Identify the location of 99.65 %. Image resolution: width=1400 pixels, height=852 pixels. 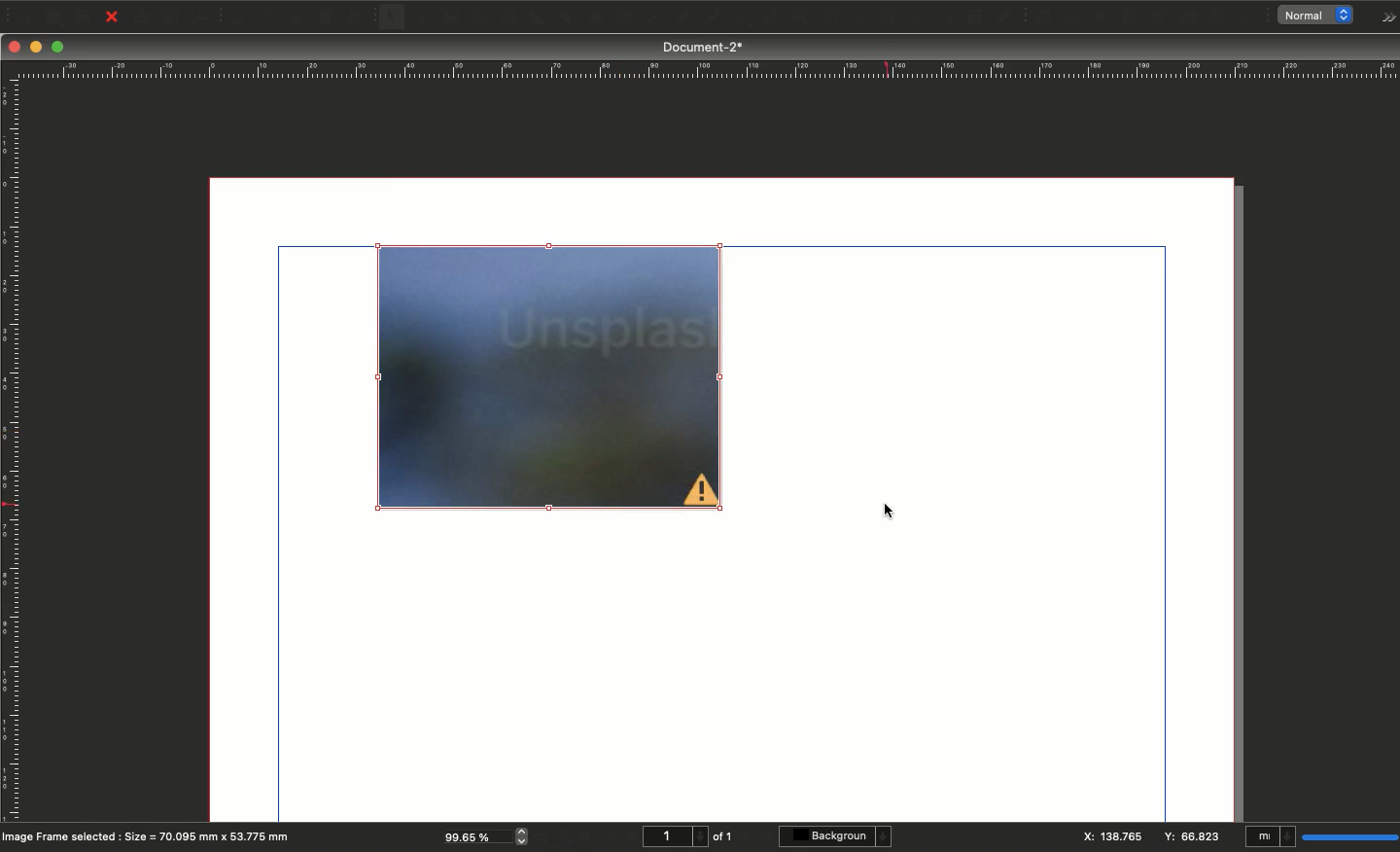
(472, 835).